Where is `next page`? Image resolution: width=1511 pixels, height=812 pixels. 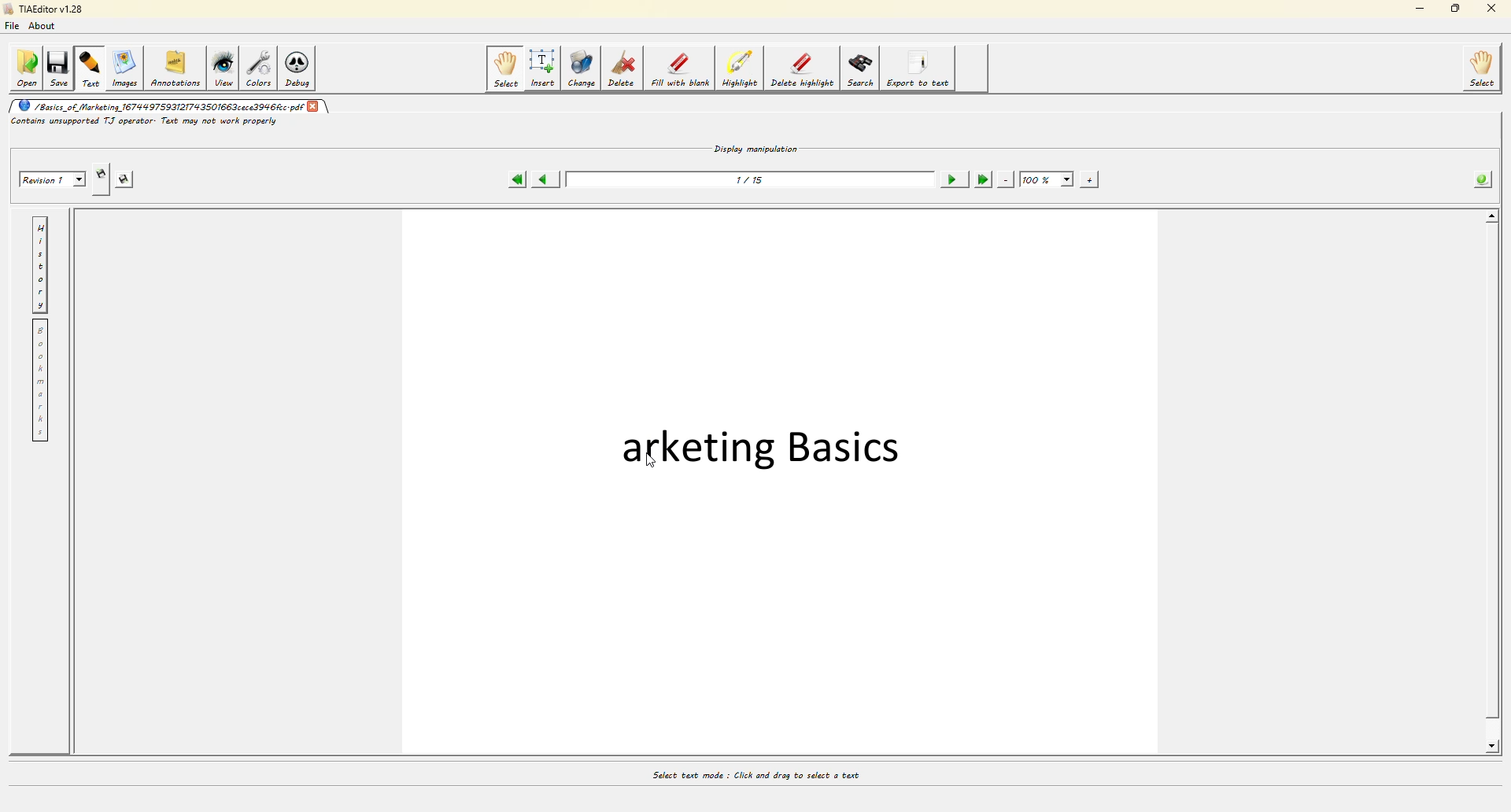
next page is located at coordinates (951, 175).